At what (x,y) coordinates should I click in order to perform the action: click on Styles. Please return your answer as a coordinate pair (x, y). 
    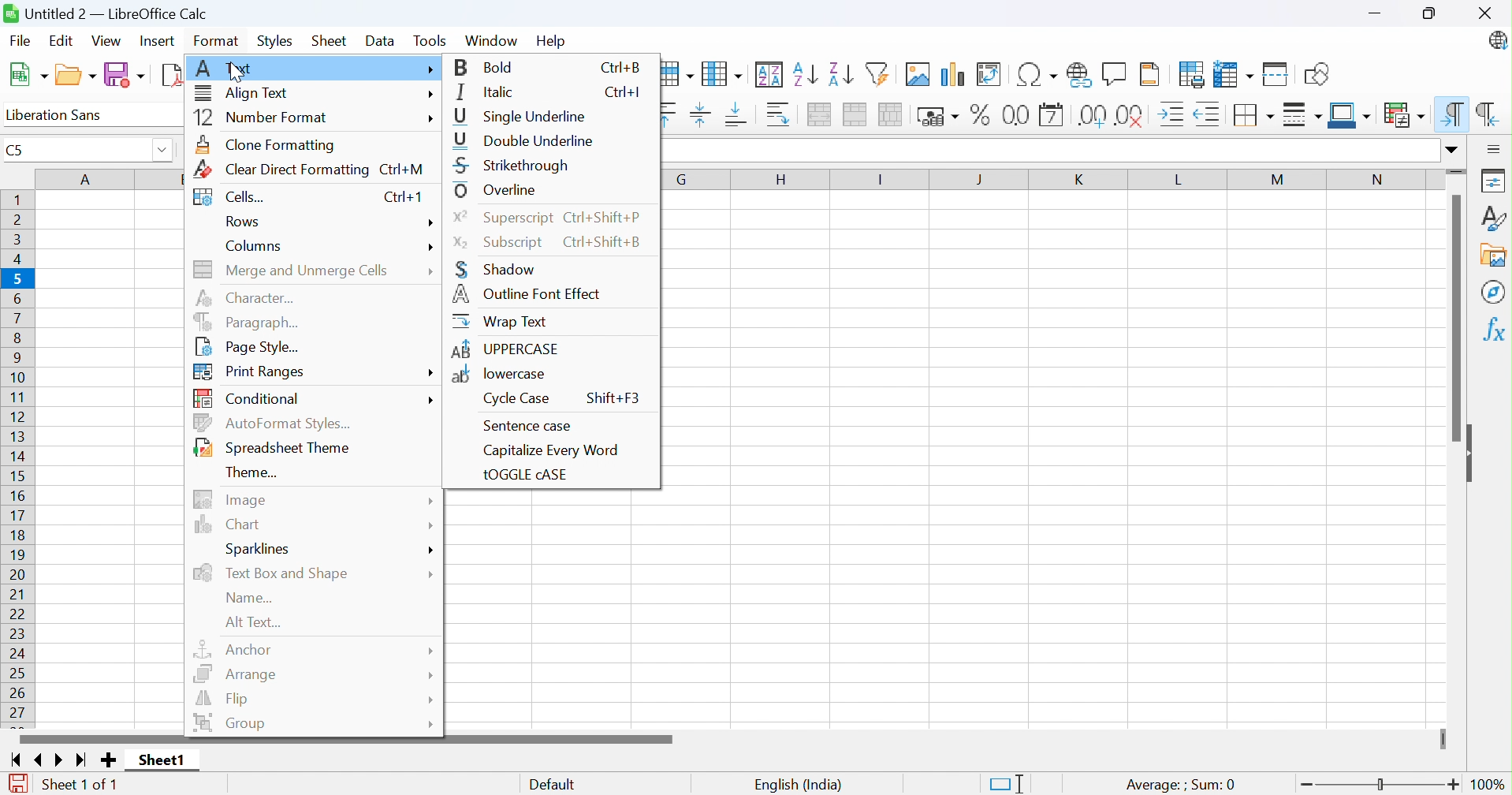
    Looking at the image, I should click on (1494, 218).